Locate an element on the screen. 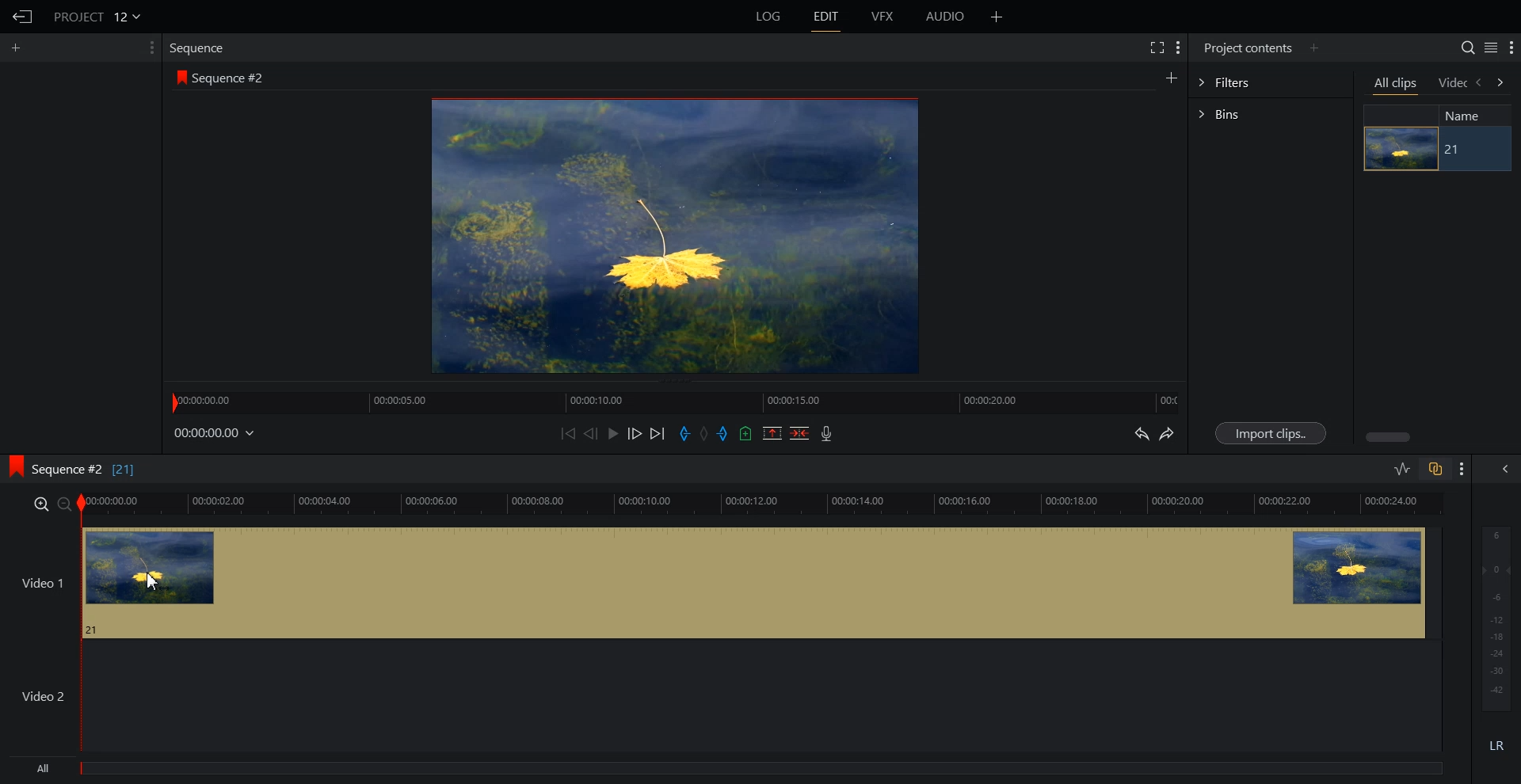 This screenshot has height=784, width=1521. Show Setting Menu is located at coordinates (1462, 470).